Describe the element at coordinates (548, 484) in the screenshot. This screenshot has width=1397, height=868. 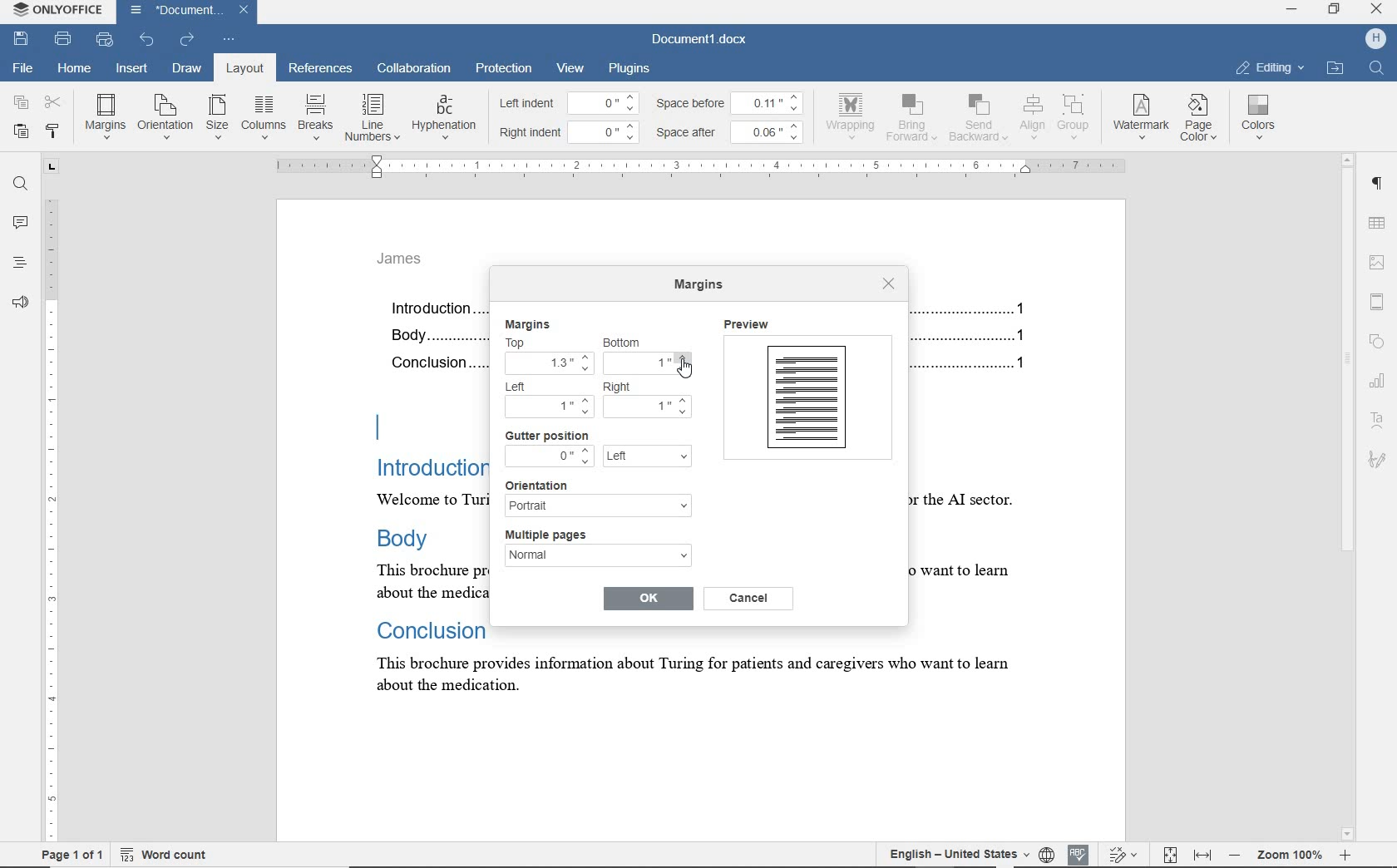
I see `orientation` at that location.